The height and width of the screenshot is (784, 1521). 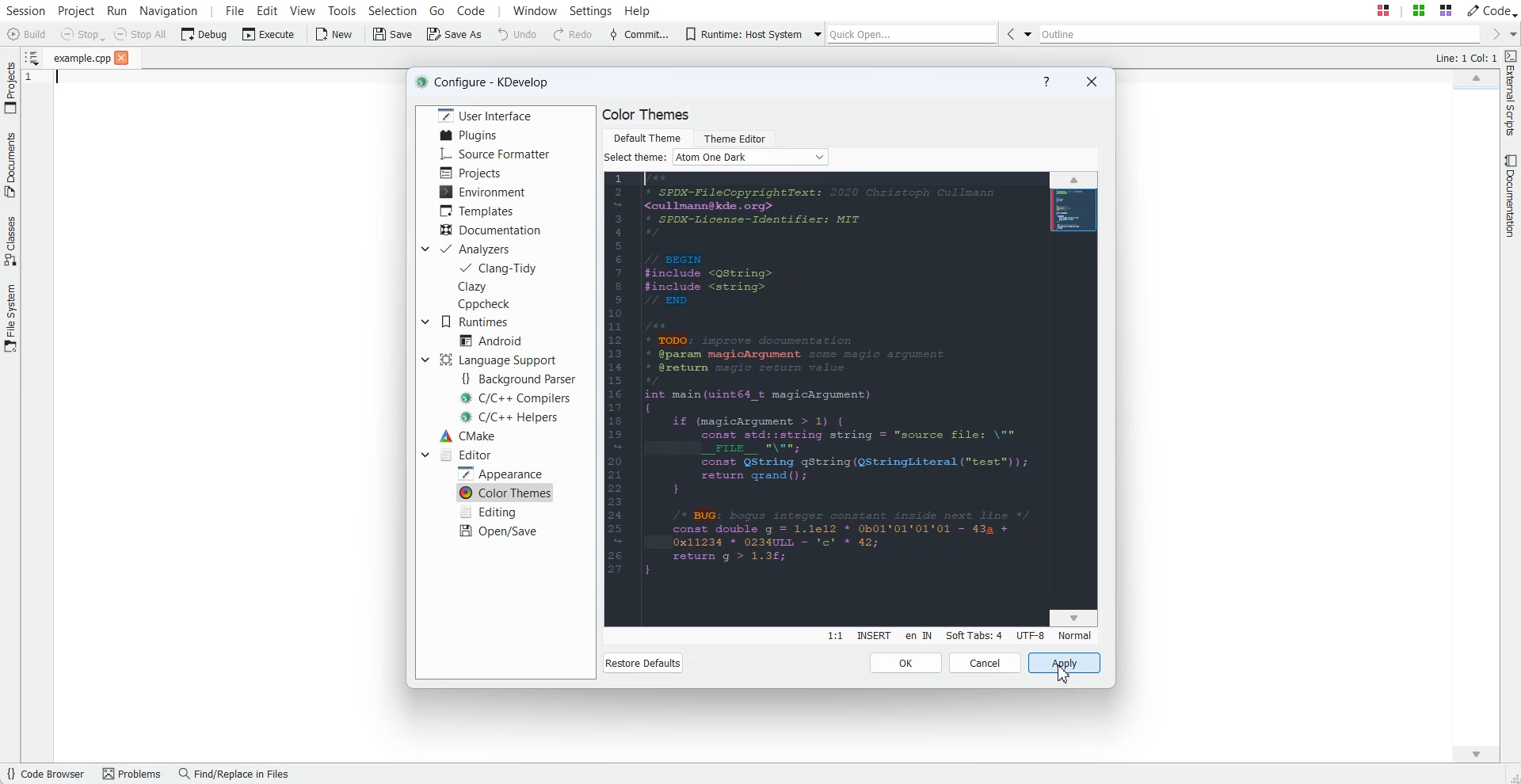 What do you see at coordinates (1062, 672) in the screenshot?
I see `Cursor` at bounding box center [1062, 672].